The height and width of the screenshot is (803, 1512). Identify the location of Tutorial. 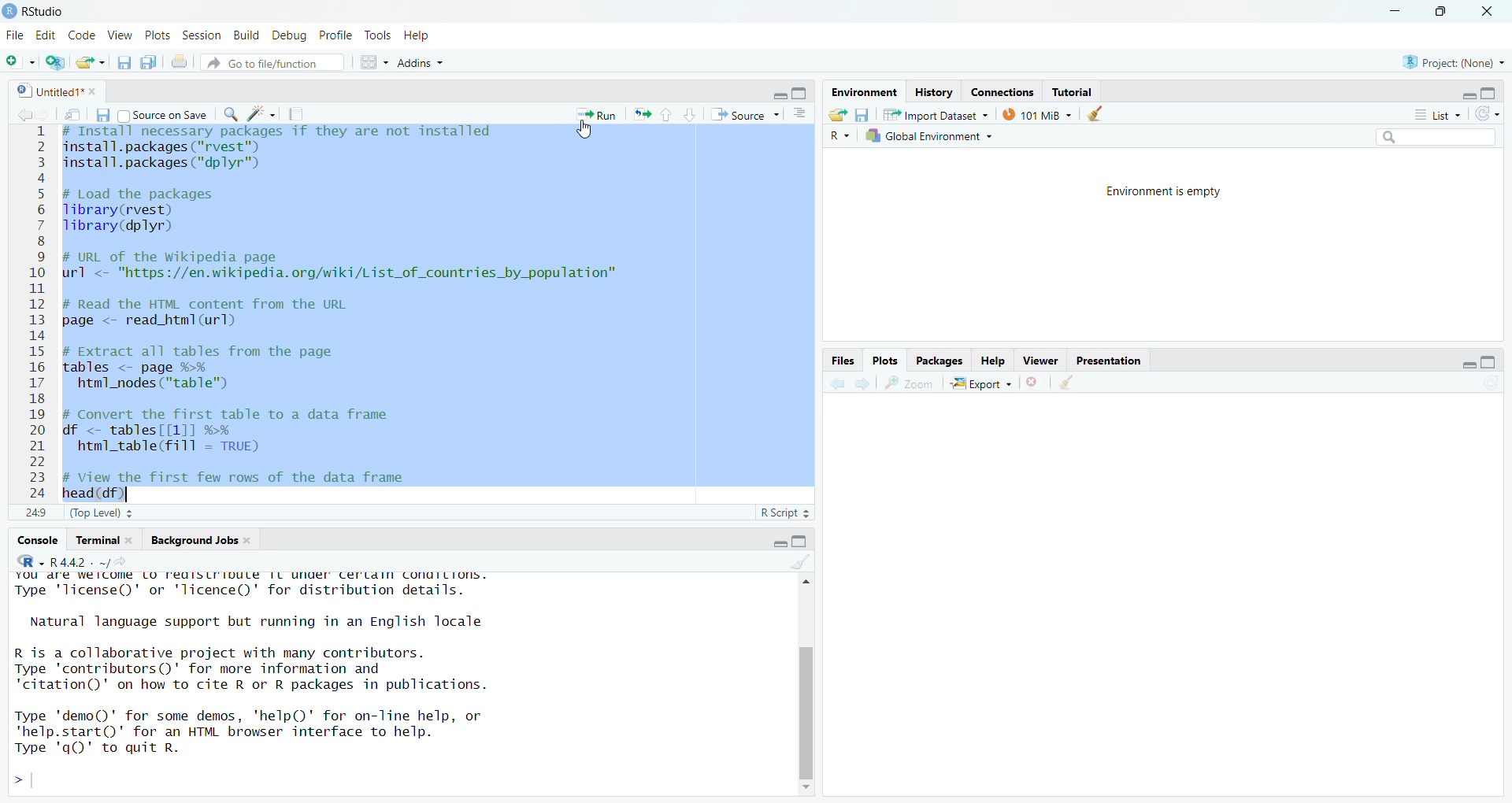
(1073, 92).